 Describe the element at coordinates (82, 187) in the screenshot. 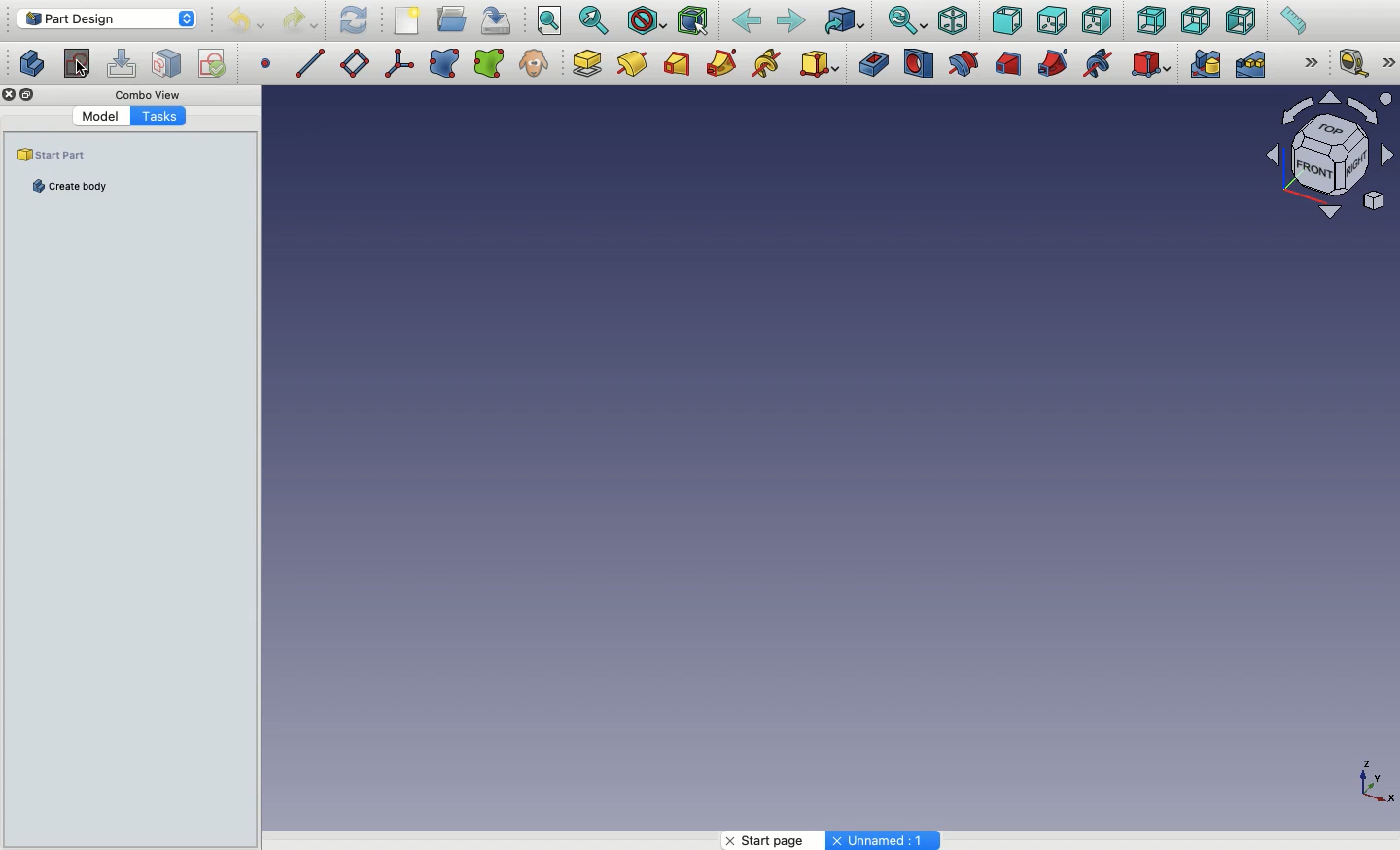

I see `Create body` at that location.